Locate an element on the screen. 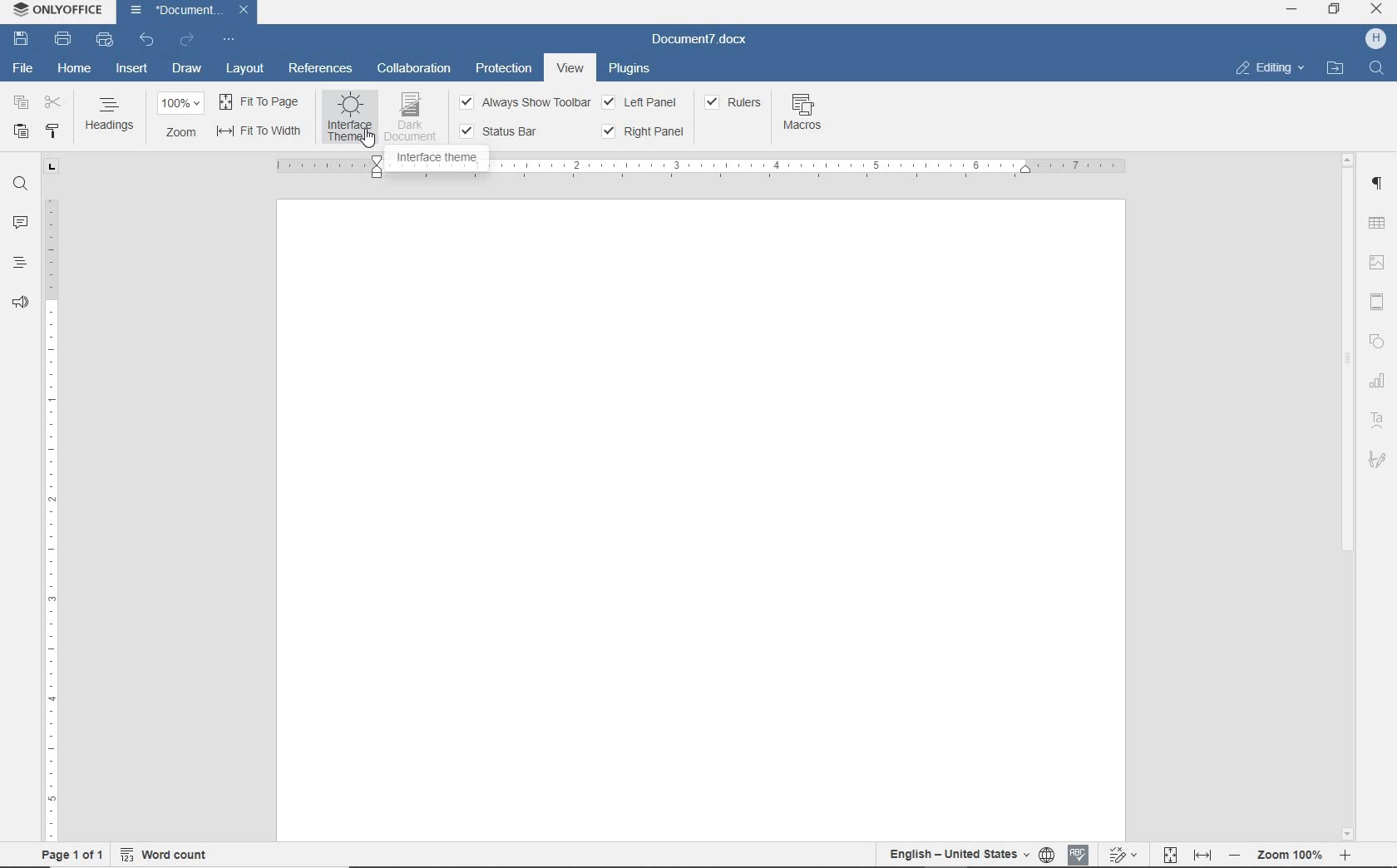  CUT is located at coordinates (56, 102).